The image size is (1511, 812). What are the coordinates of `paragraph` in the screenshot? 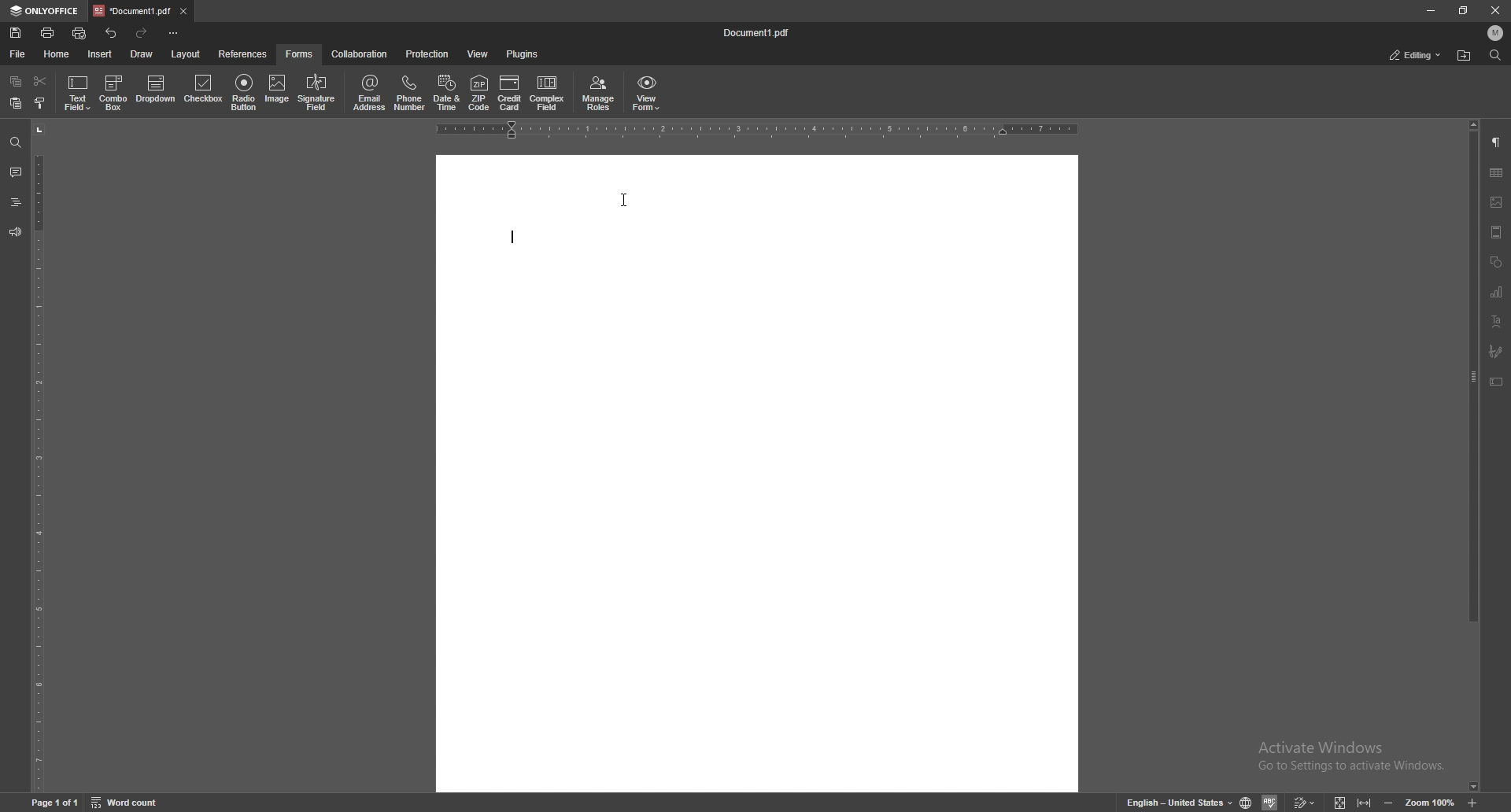 It's located at (1498, 142).